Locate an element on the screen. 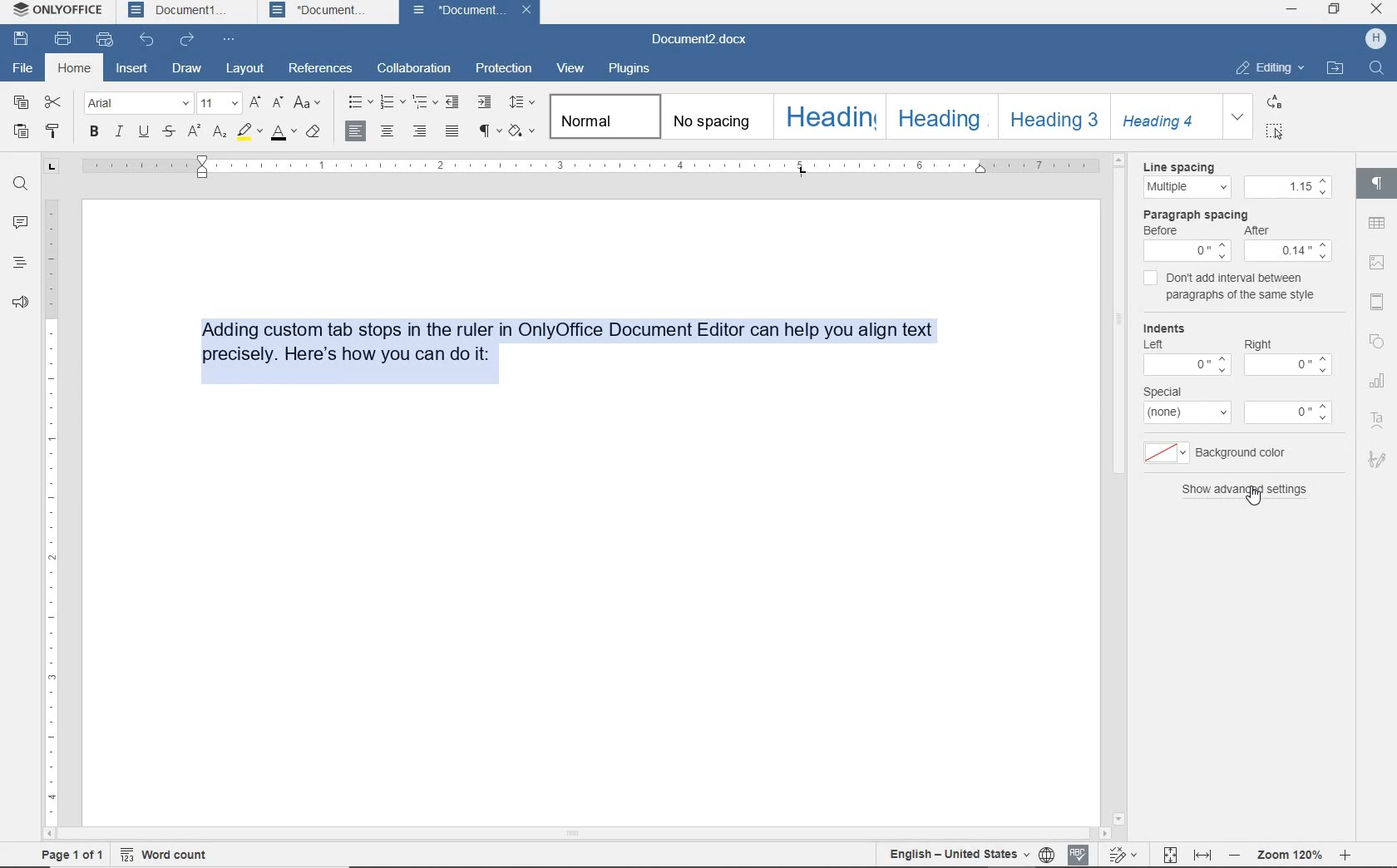 The image size is (1397, 868). multilevel list is located at coordinates (422, 100).